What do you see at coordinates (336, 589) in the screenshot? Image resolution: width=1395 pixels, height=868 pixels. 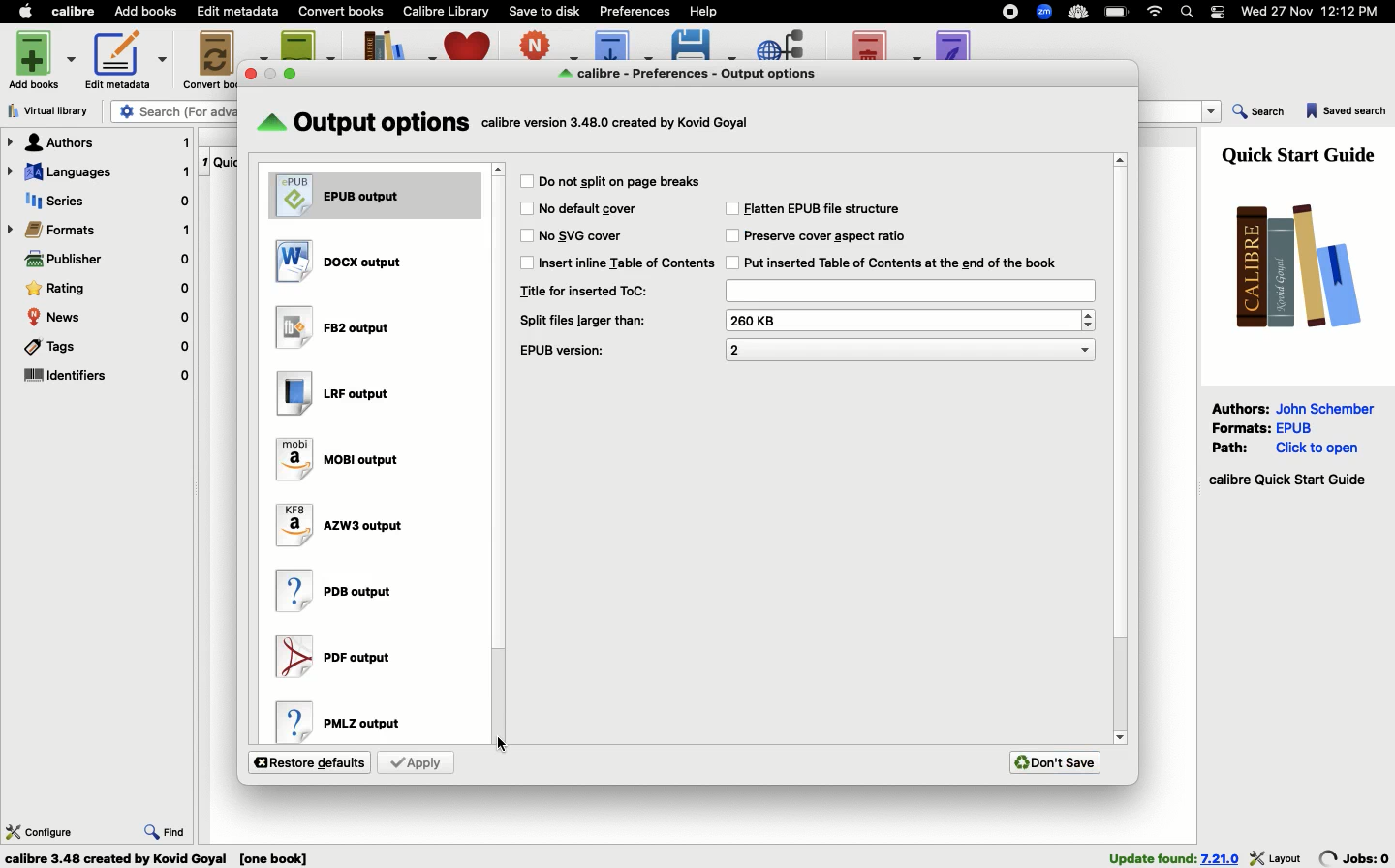 I see `PDB` at bounding box center [336, 589].